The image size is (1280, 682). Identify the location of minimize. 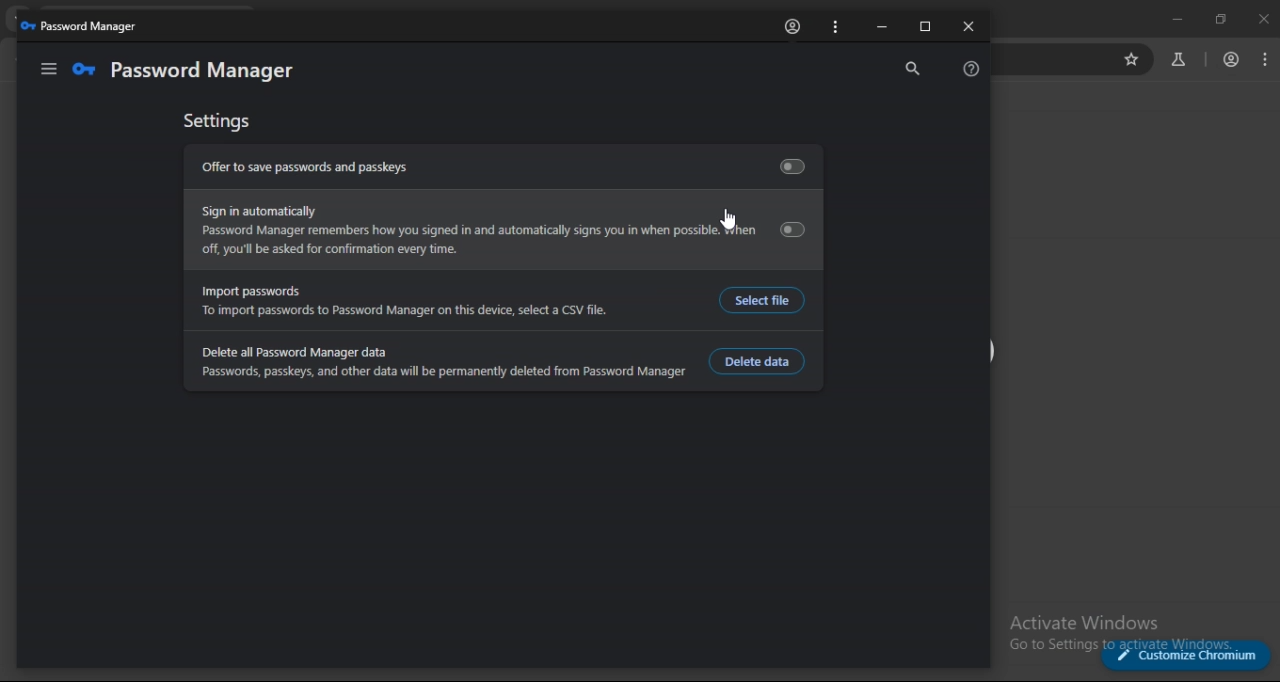
(1175, 19).